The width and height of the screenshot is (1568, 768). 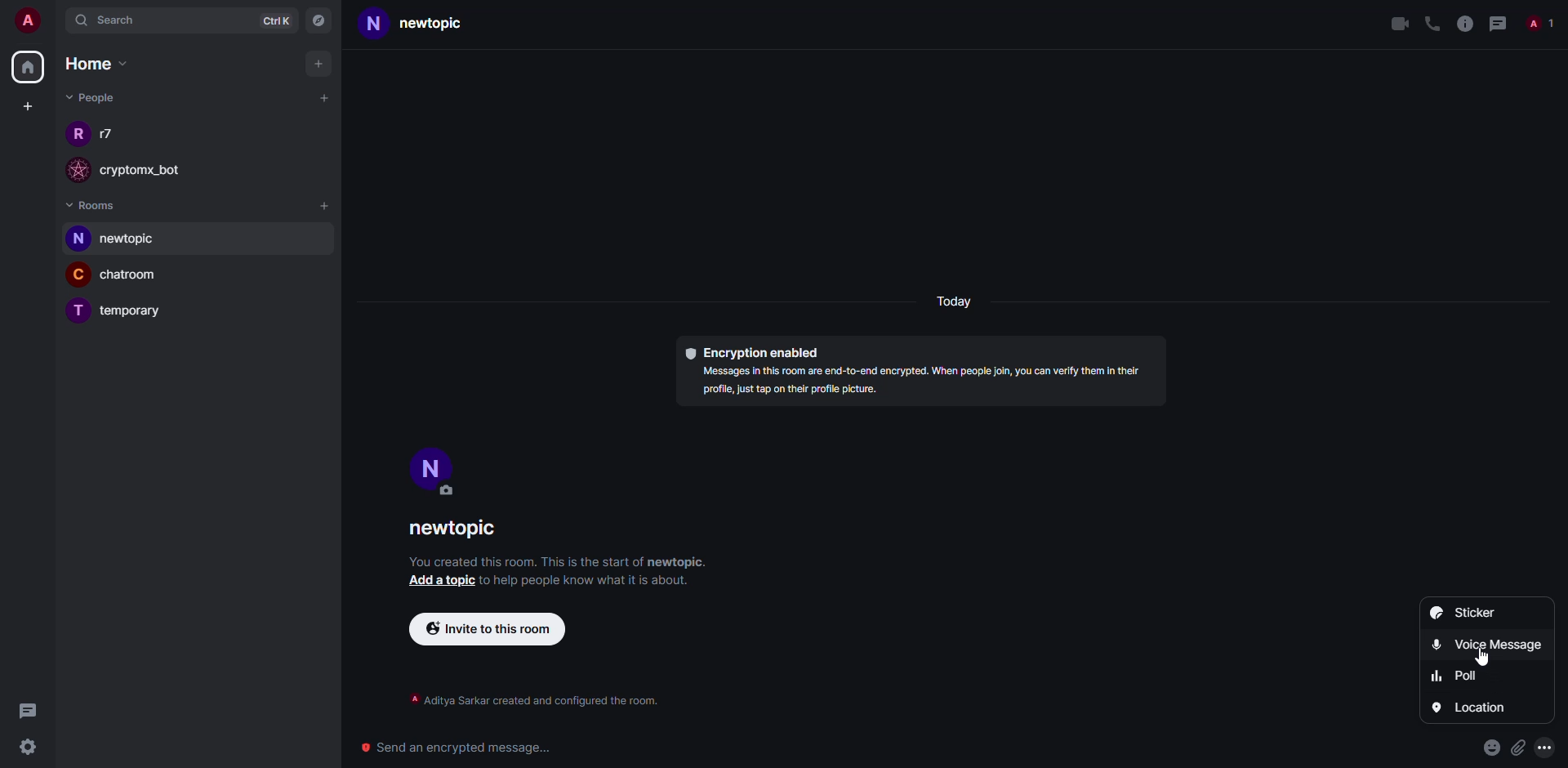 I want to click on people, so click(x=109, y=134).